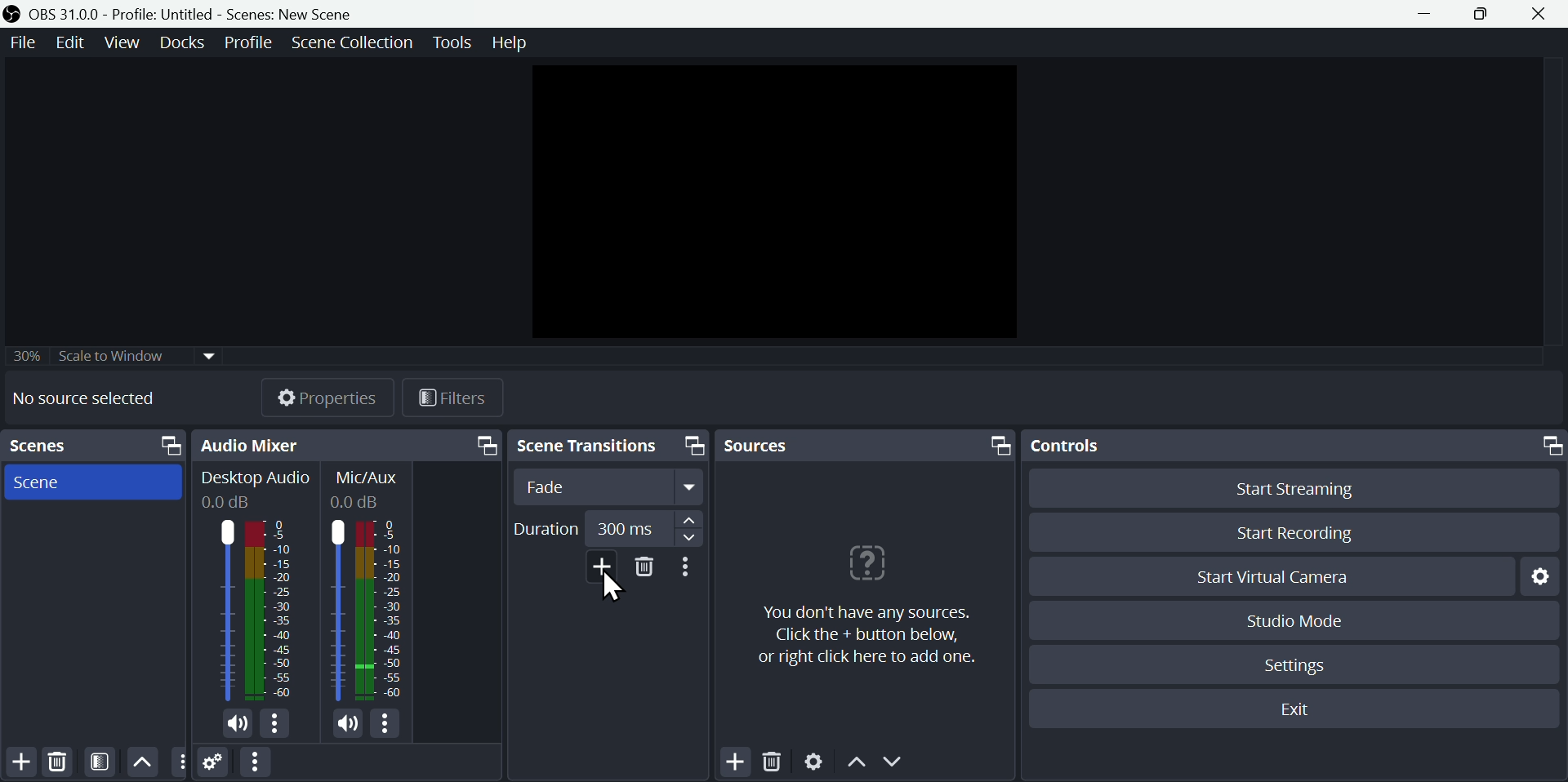  I want to click on Settings, so click(214, 765).